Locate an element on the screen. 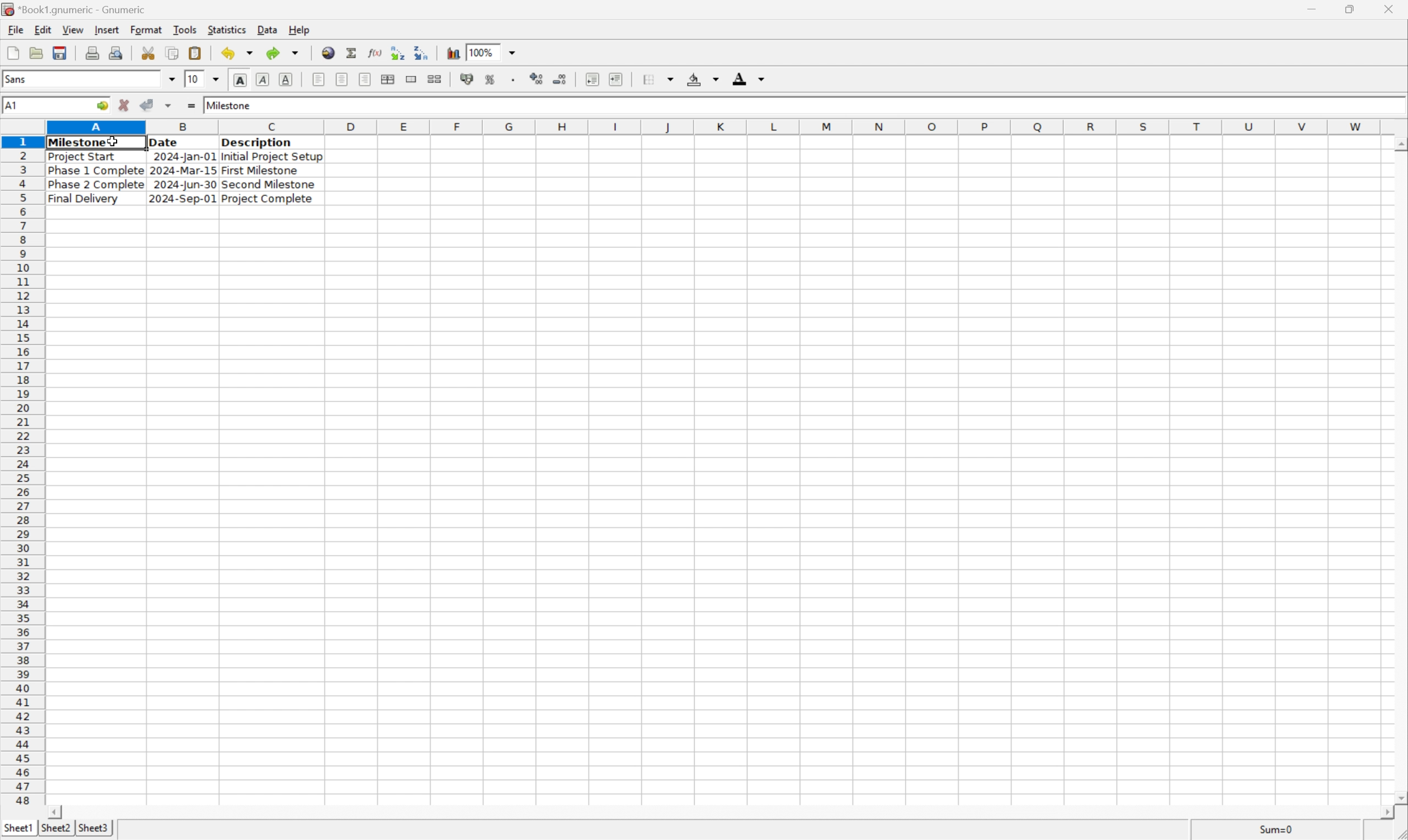 This screenshot has width=1408, height=840. Table is located at coordinates (187, 172).